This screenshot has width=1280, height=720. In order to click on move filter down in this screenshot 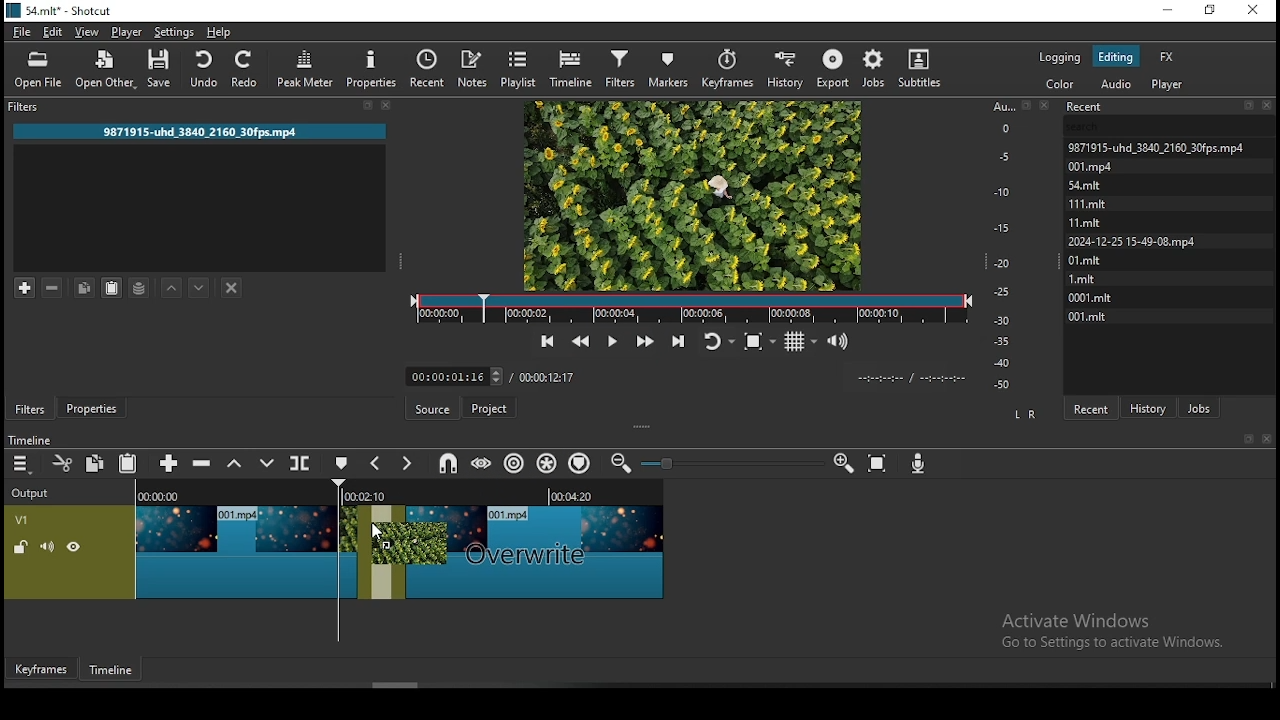, I will do `click(199, 286)`.